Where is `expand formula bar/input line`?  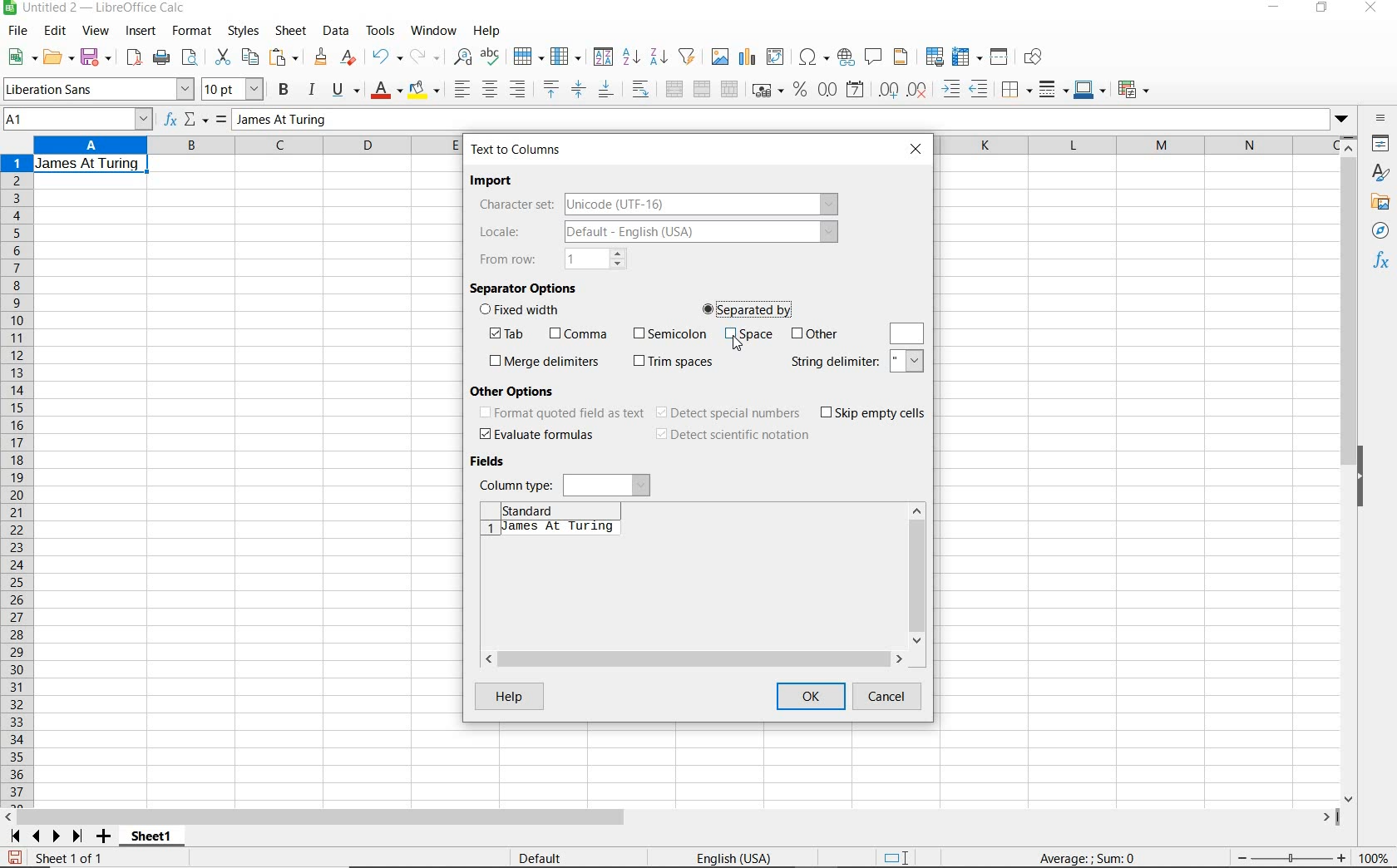
expand formula bar/input line is located at coordinates (776, 121).